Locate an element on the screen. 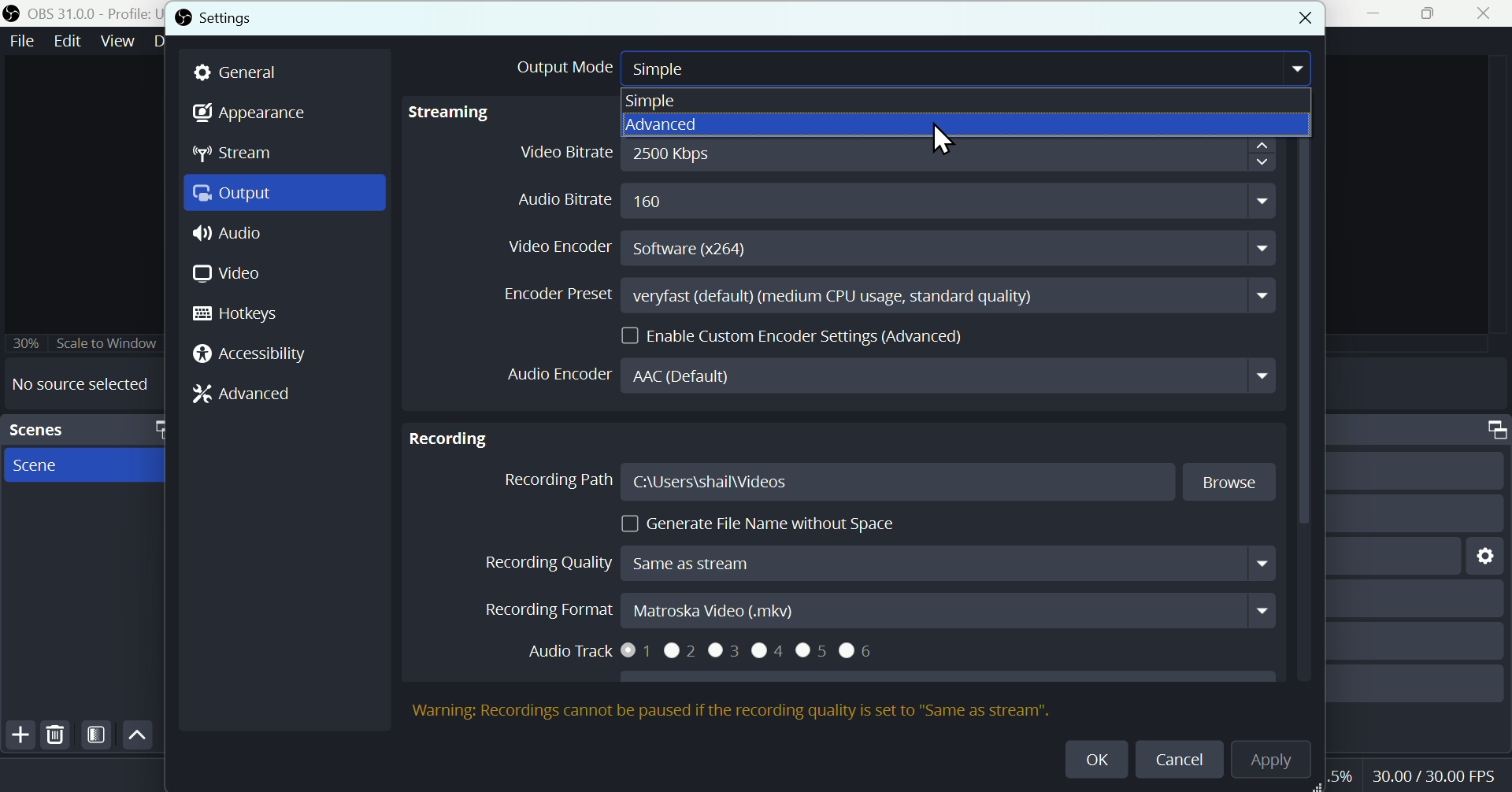 The image size is (1512, 792). Enable custom encoder setting advanced is located at coordinates (796, 335).